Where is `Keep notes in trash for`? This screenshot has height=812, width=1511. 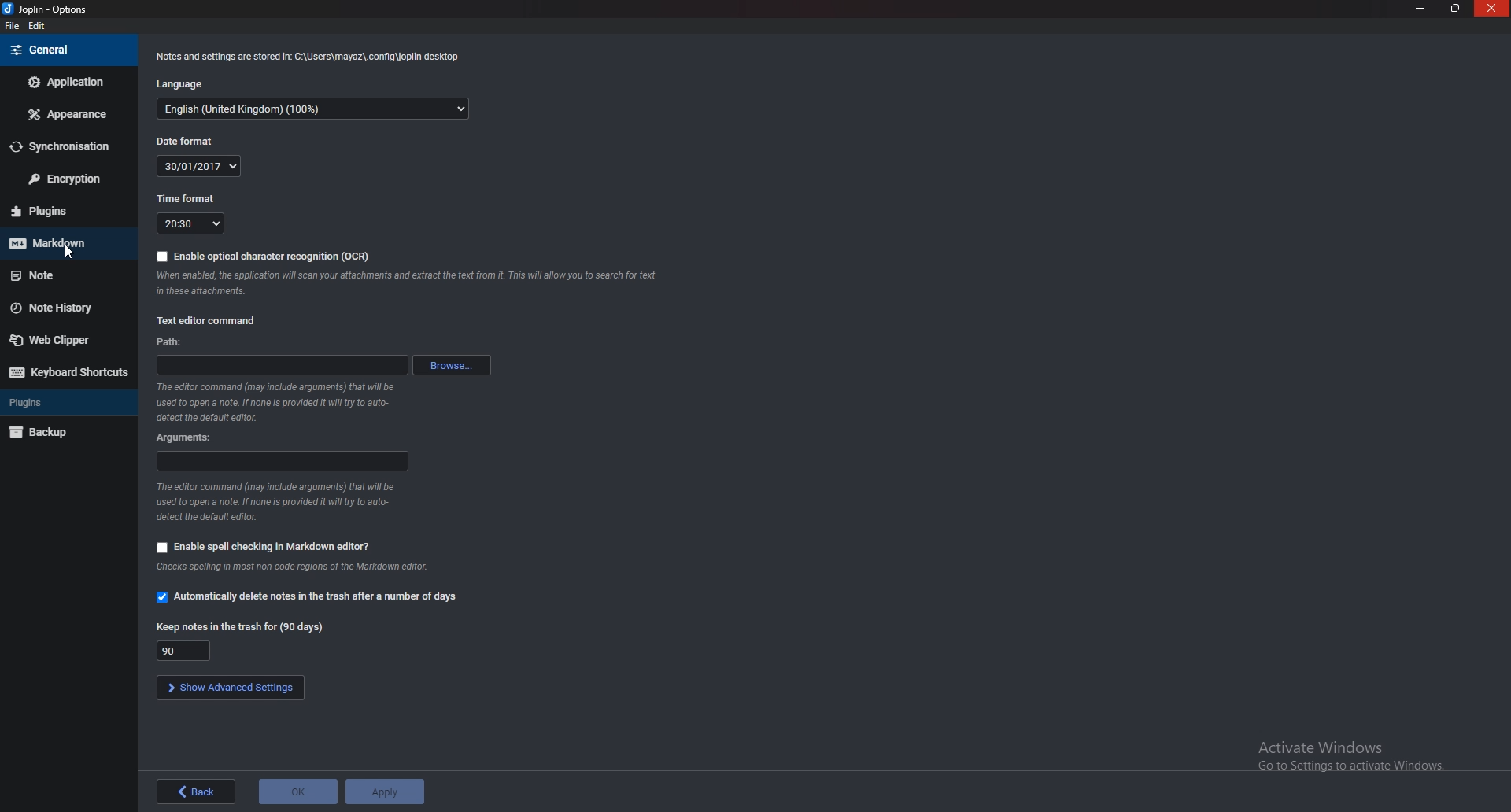
Keep notes in trash for is located at coordinates (179, 651).